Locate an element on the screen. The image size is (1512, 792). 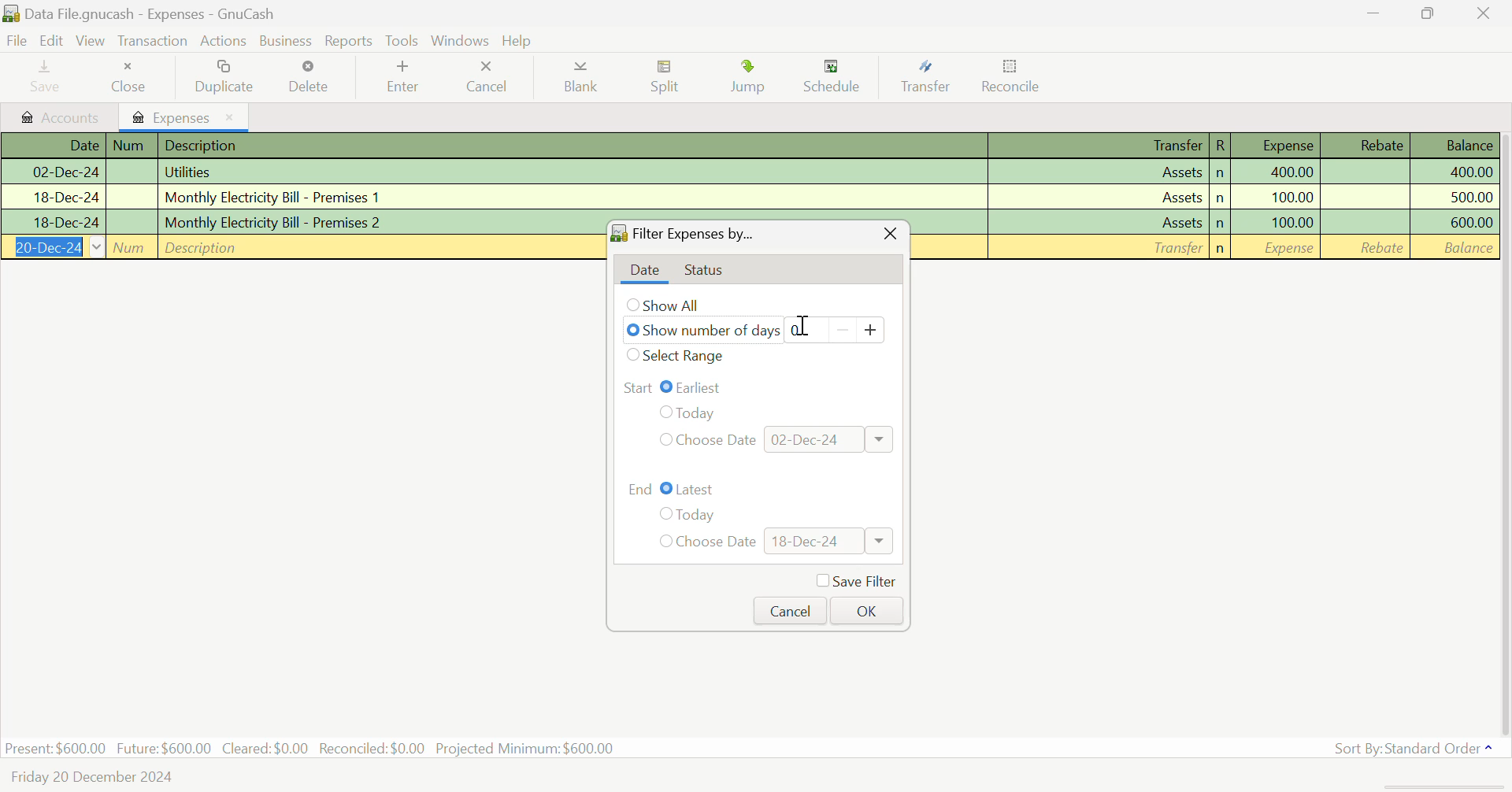
tools is located at coordinates (402, 41).